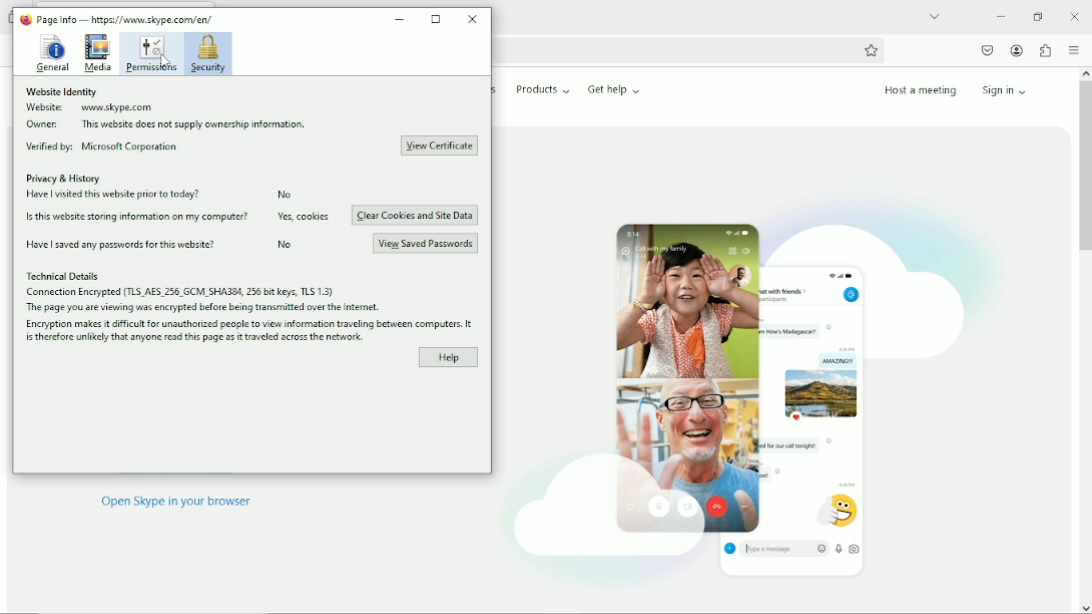 The image size is (1092, 614). What do you see at coordinates (1017, 51) in the screenshot?
I see `Account` at bounding box center [1017, 51].